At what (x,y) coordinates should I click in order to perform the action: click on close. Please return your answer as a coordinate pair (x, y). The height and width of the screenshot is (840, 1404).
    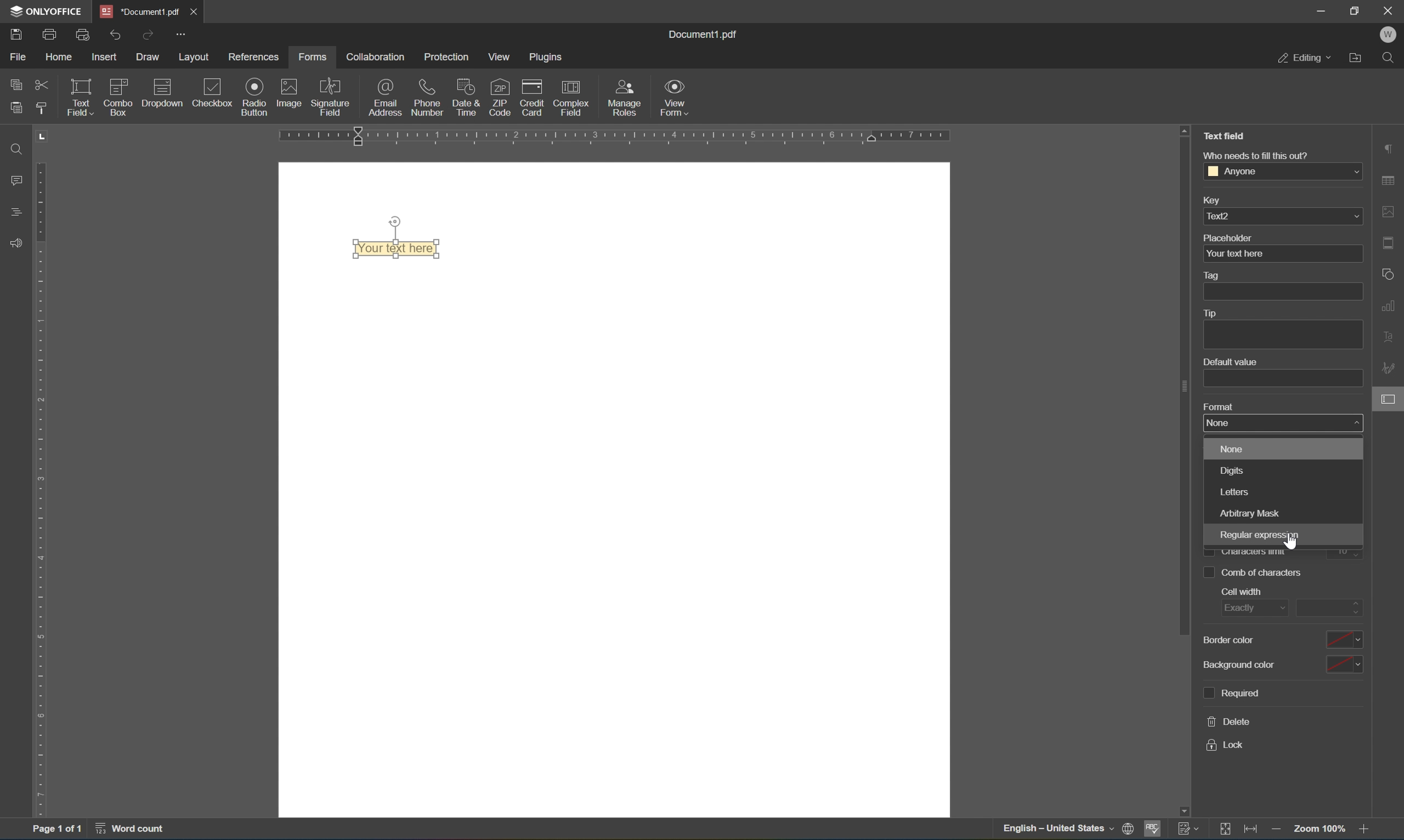
    Looking at the image, I should click on (191, 10).